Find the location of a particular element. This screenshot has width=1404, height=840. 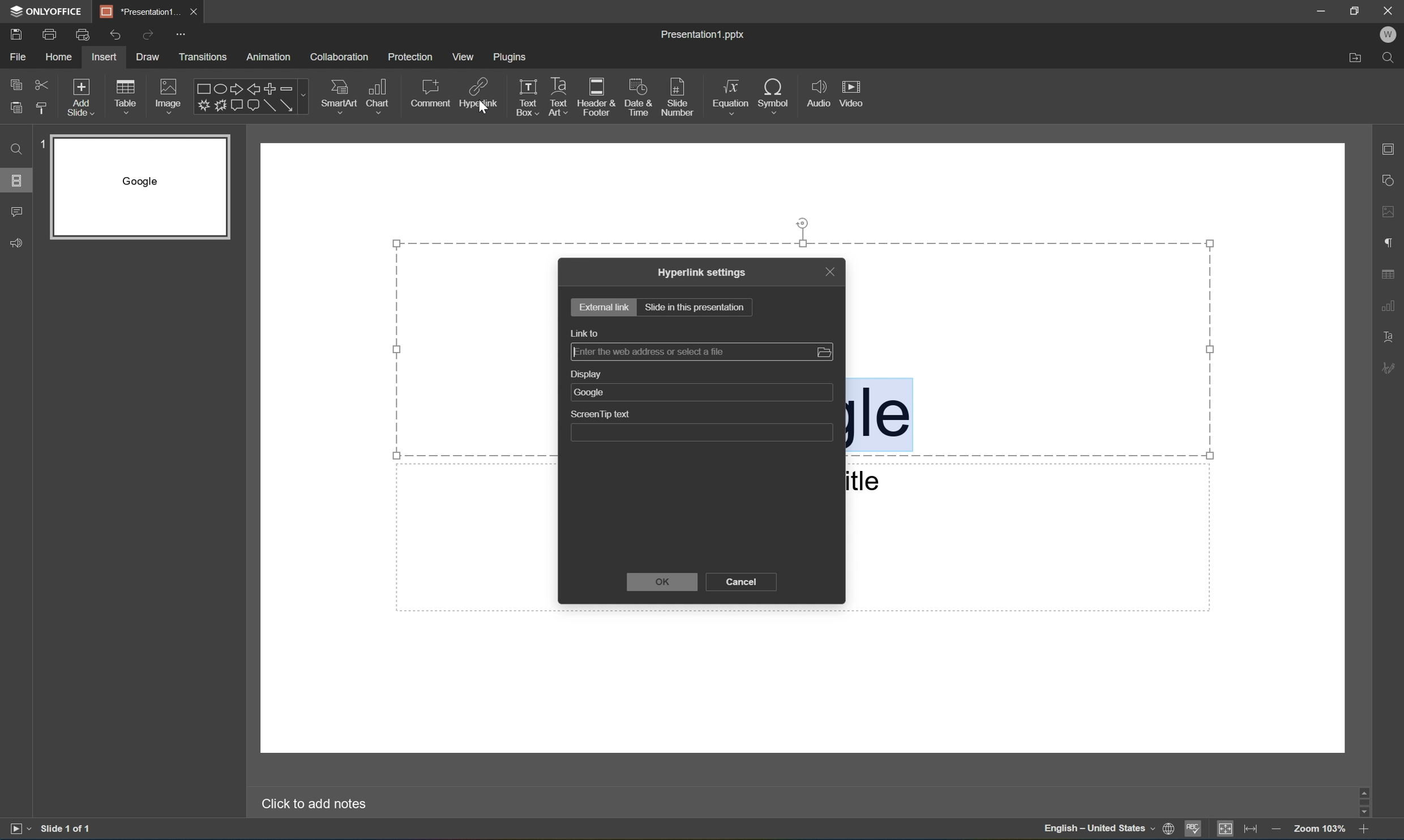

Fit to width is located at coordinates (1255, 829).